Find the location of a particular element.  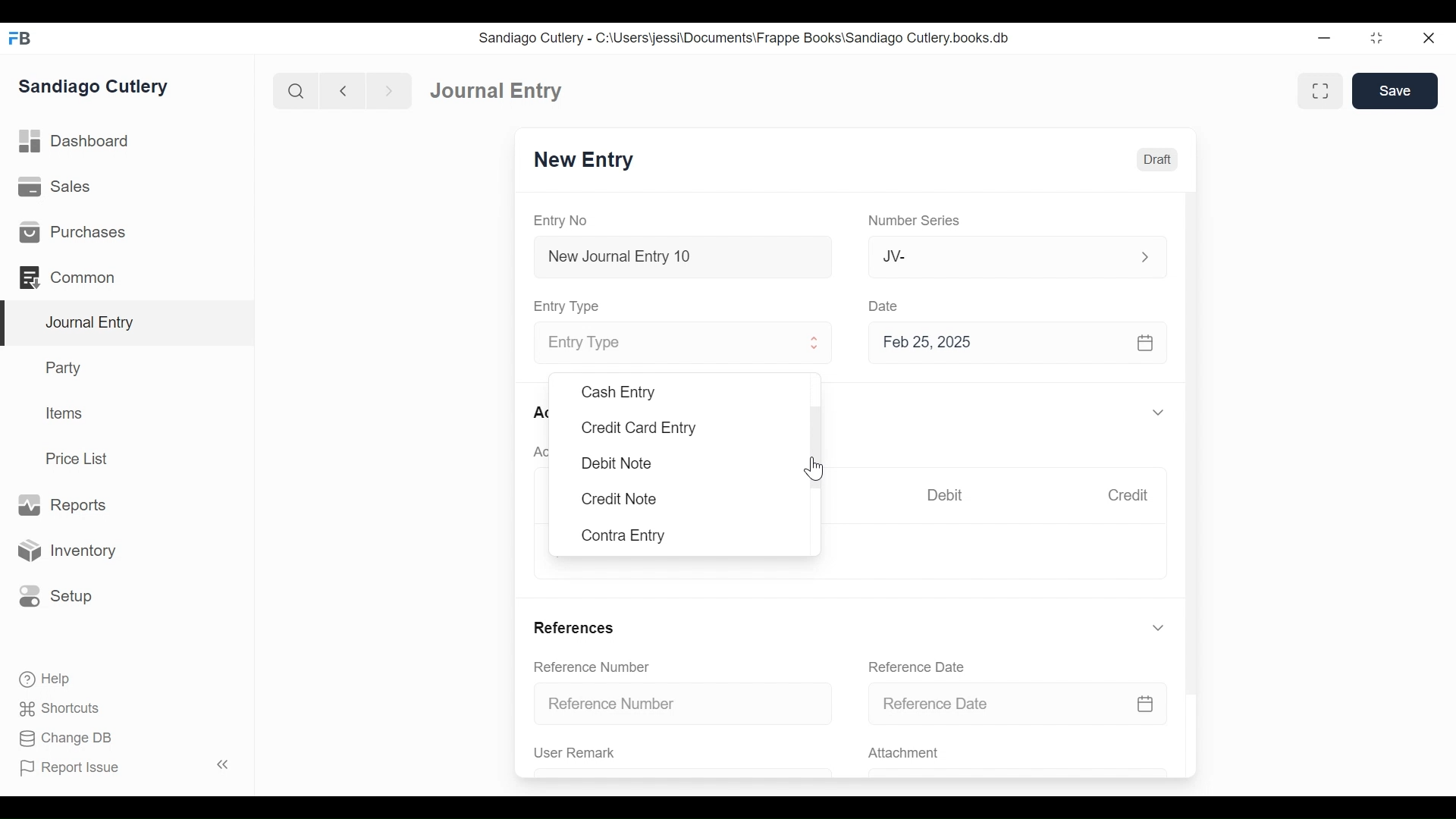

Cursor is located at coordinates (815, 469).